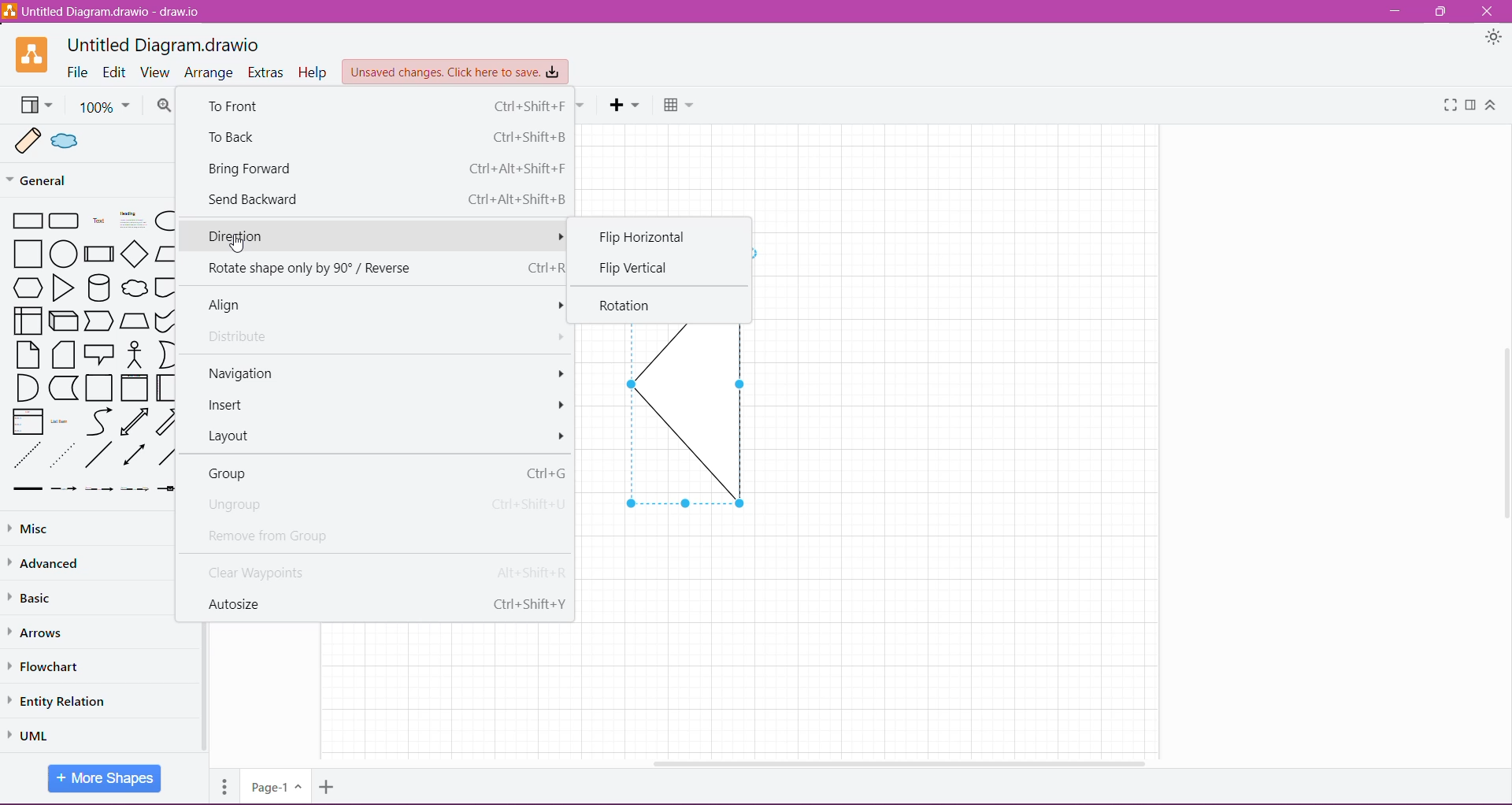 This screenshot has width=1512, height=805. What do you see at coordinates (77, 72) in the screenshot?
I see `File` at bounding box center [77, 72].